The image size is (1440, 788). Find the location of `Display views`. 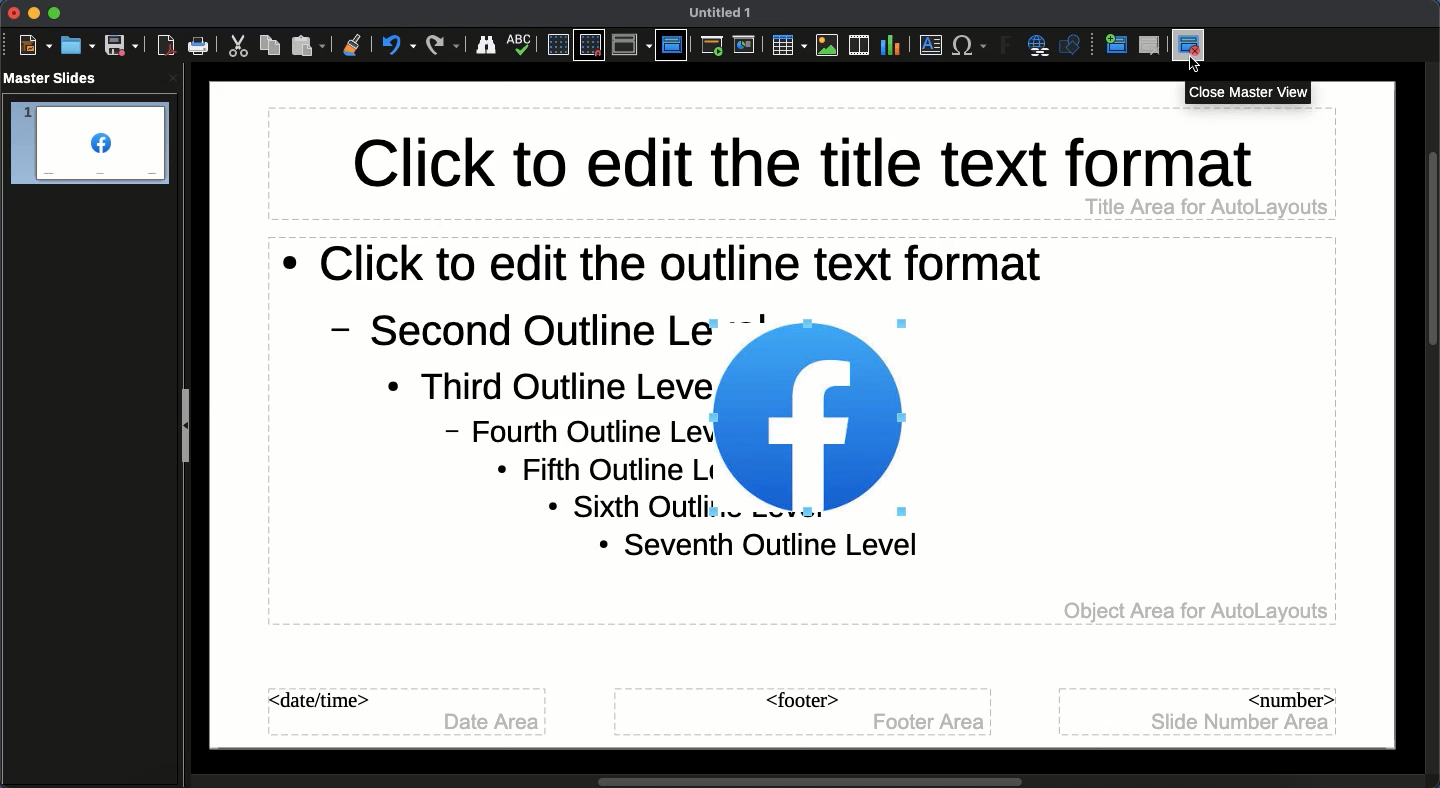

Display views is located at coordinates (632, 45).